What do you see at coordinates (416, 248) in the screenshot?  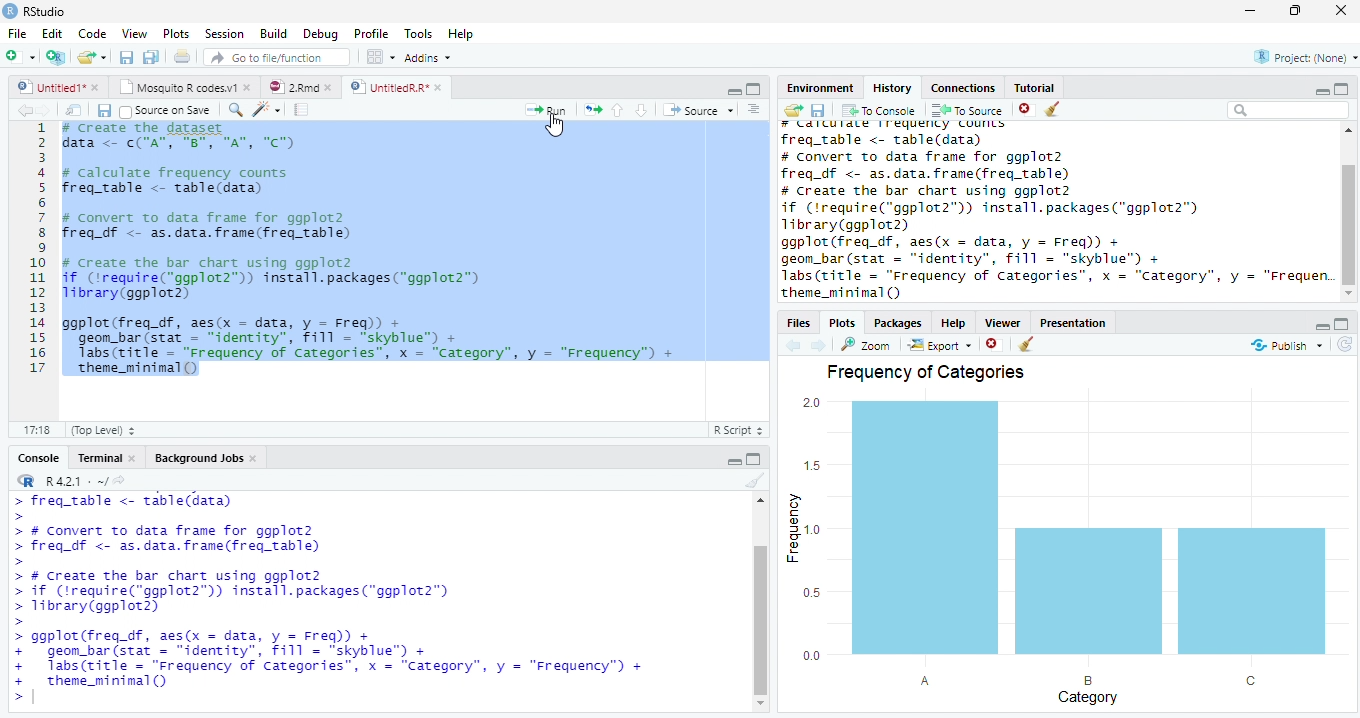 I see `Create the dataset data <- c("a", "8", "A", "¢")calculate frequency countsreq_table <- table(data)Convert to data frame for ggplot2req_df <- as. data. frame(freq_table)Create the bar chart using ggplot2f (irequire(“ggplot2”)) install.packages(“ggplot2”)ibrary(ggplot2)gplot(freq df, aes(x = data, y = Freq) +geom_bar (stat = “identity”, fill = "skyblue") +labs (title = "Frequency of Categories”, x = “Category”, y = Frequency”) +theme_minimal 0]` at bounding box center [416, 248].